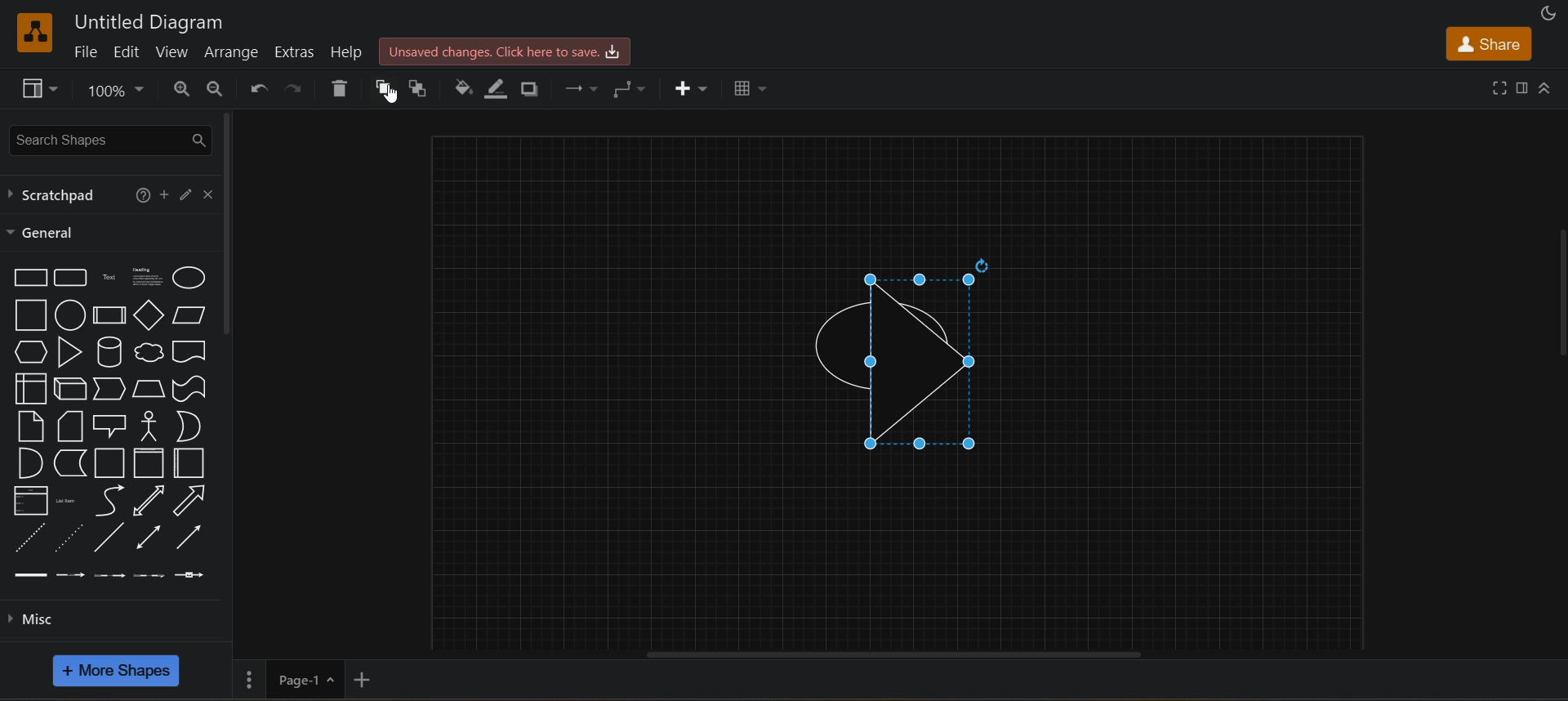 This screenshot has height=701, width=1568. I want to click on Directional arrow, so click(187, 500).